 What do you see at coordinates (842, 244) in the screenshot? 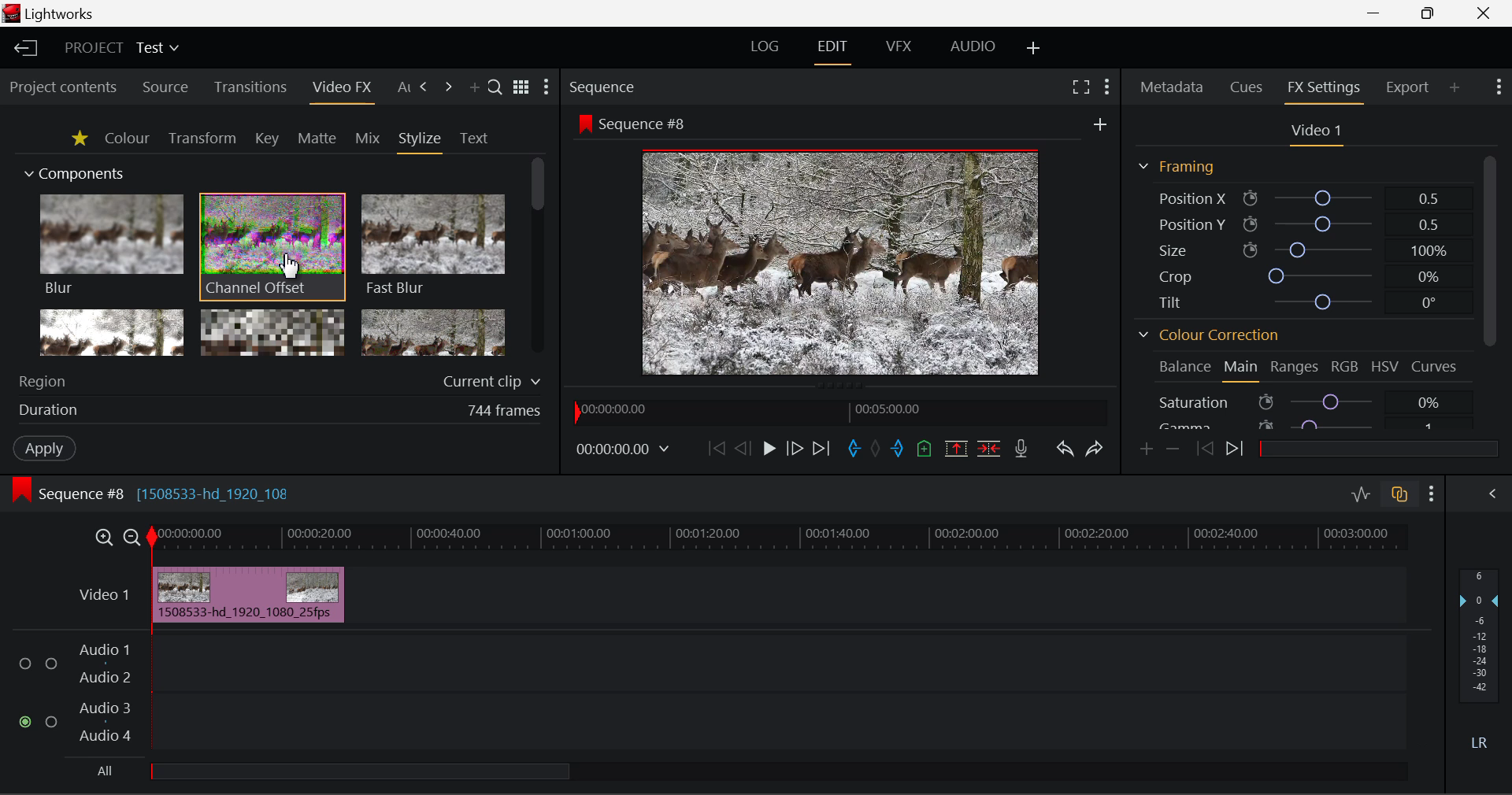
I see `Sequence Preview Screen` at bounding box center [842, 244].